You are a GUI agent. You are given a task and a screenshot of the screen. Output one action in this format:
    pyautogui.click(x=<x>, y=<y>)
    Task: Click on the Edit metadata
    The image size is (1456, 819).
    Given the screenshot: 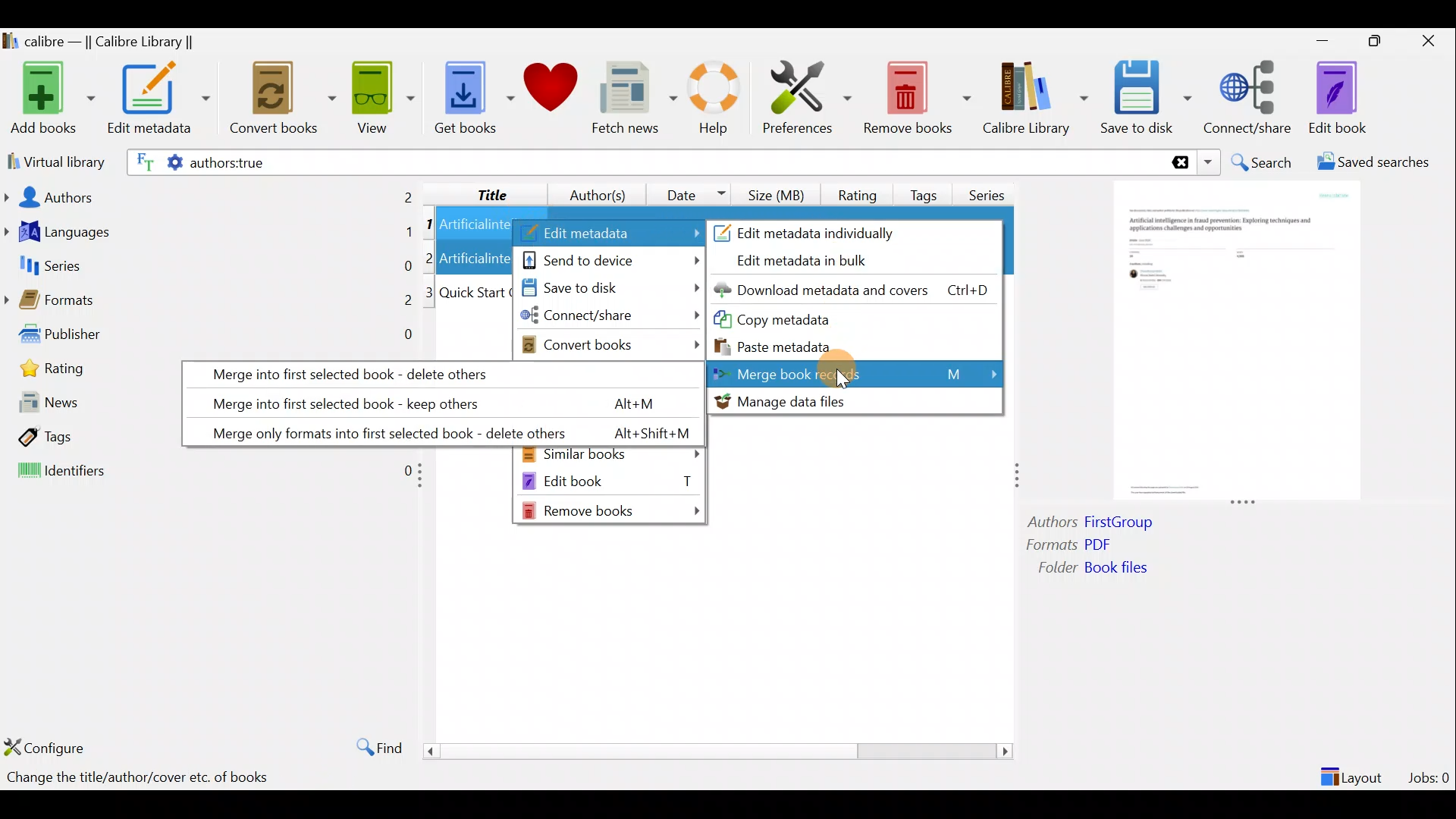 What is the action you would take?
    pyautogui.click(x=609, y=234)
    